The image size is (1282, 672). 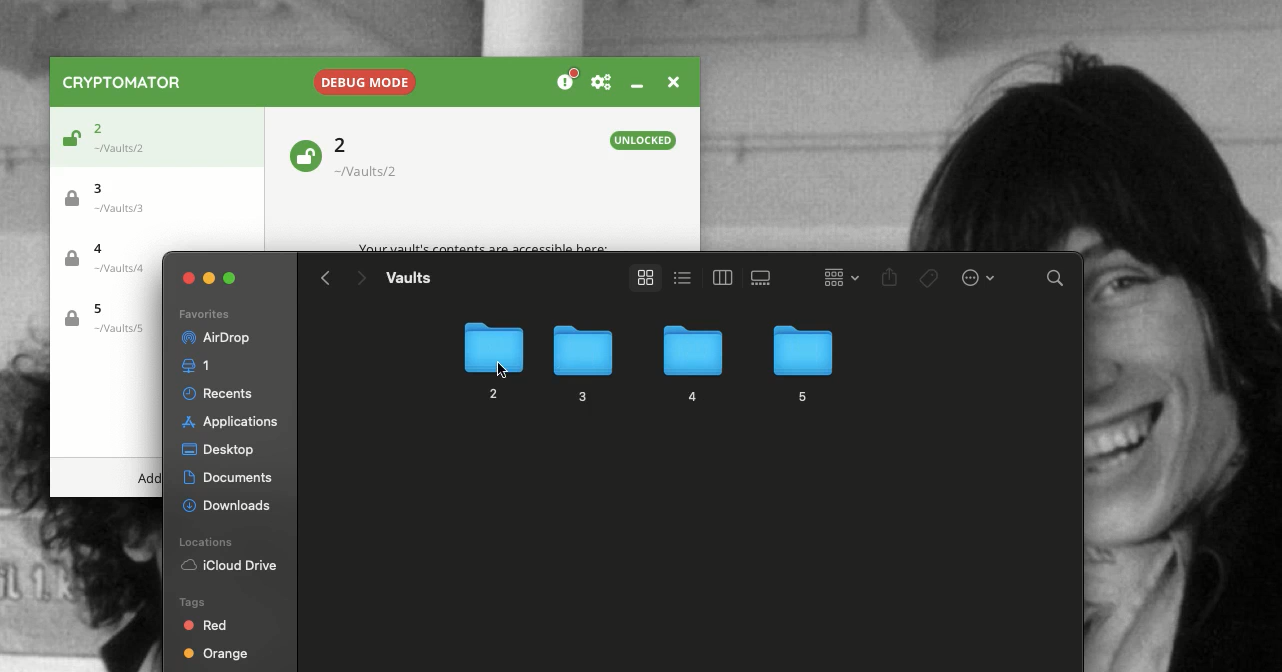 What do you see at coordinates (126, 134) in the screenshot?
I see `Vault 2` at bounding box center [126, 134].